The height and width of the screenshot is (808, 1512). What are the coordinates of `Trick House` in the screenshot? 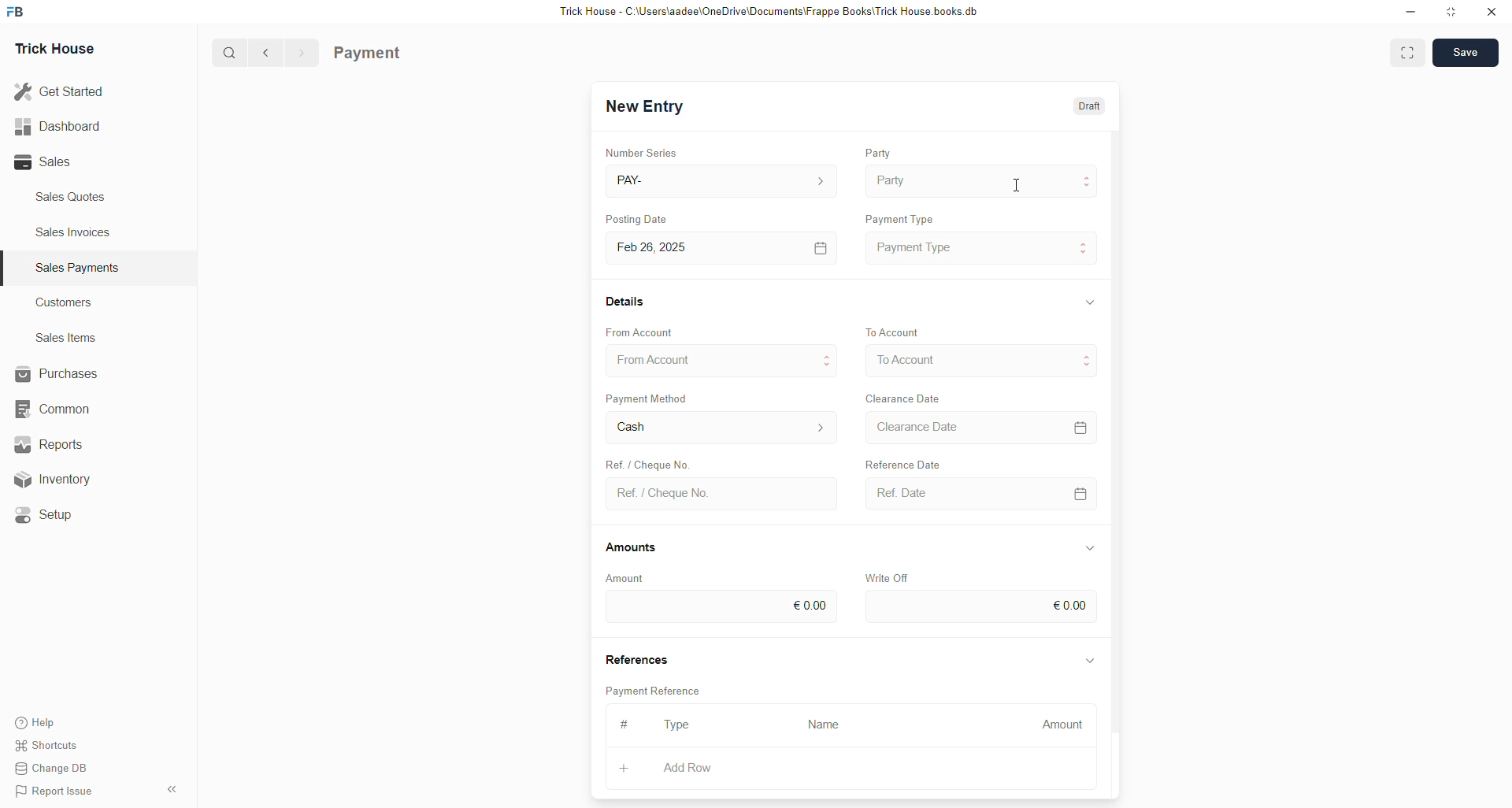 It's located at (54, 50).